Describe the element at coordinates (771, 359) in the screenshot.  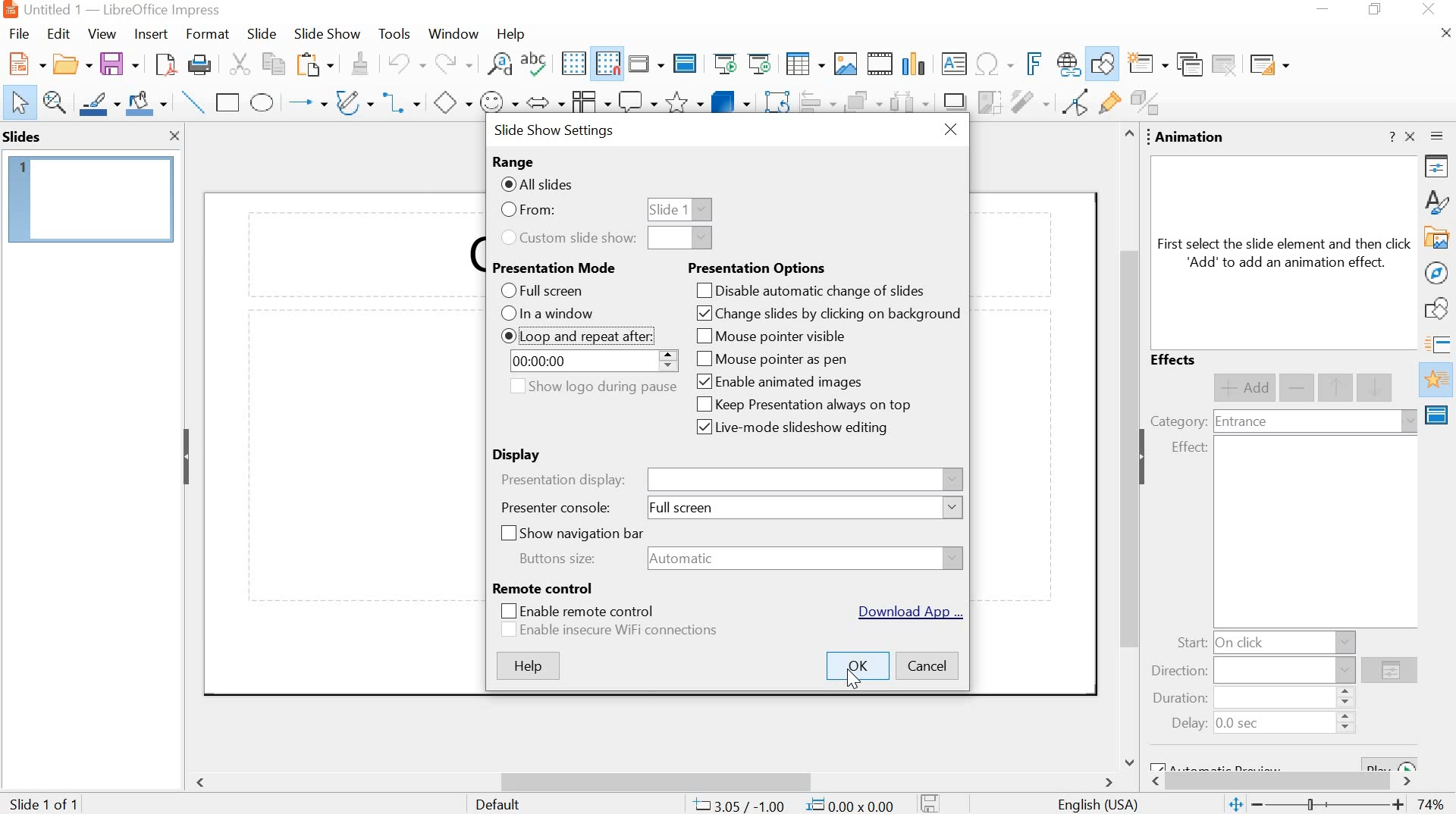
I see `mouse pointer as pen` at that location.